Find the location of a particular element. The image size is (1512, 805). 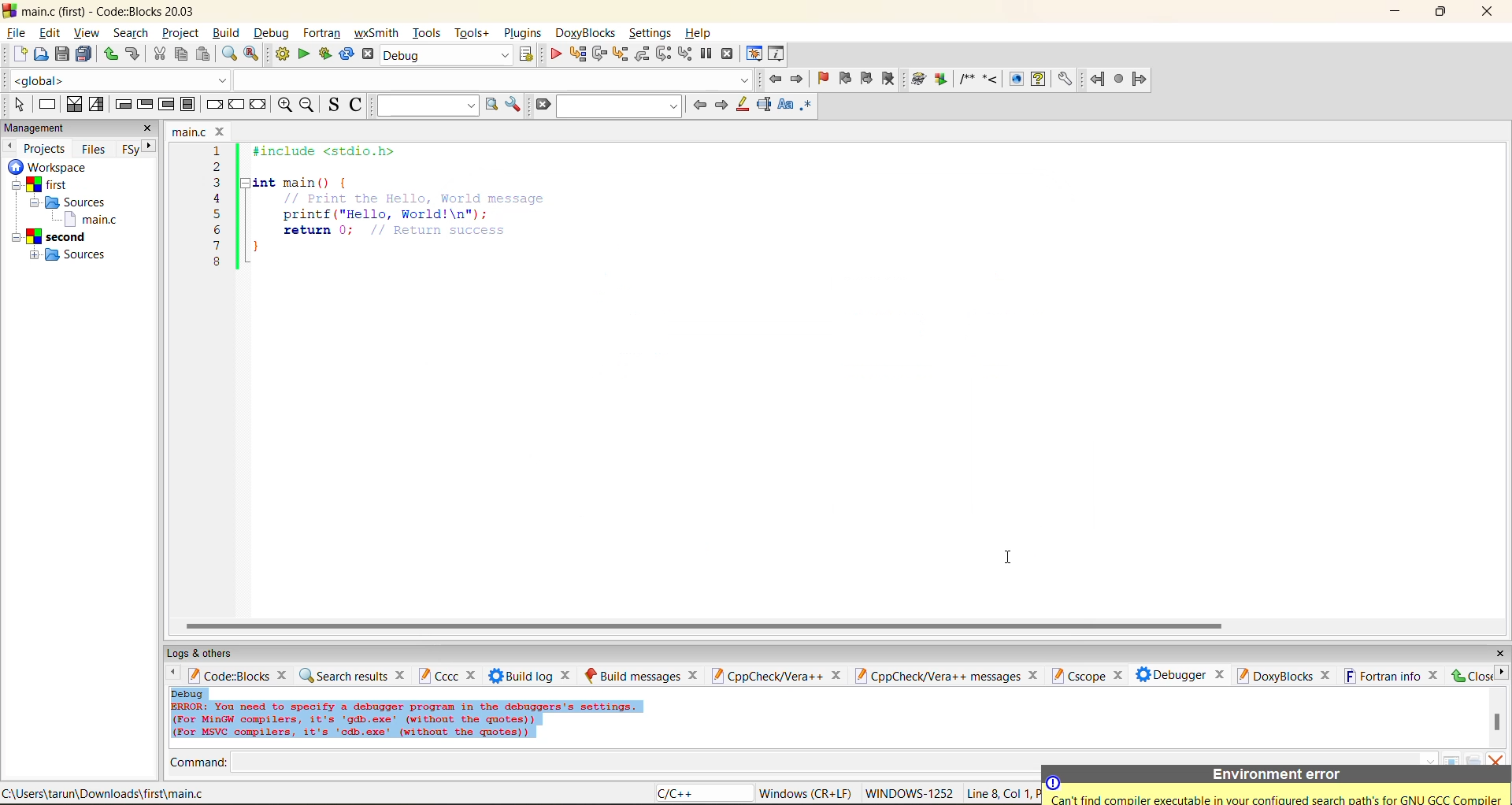

1 is located at coordinates (219, 151).